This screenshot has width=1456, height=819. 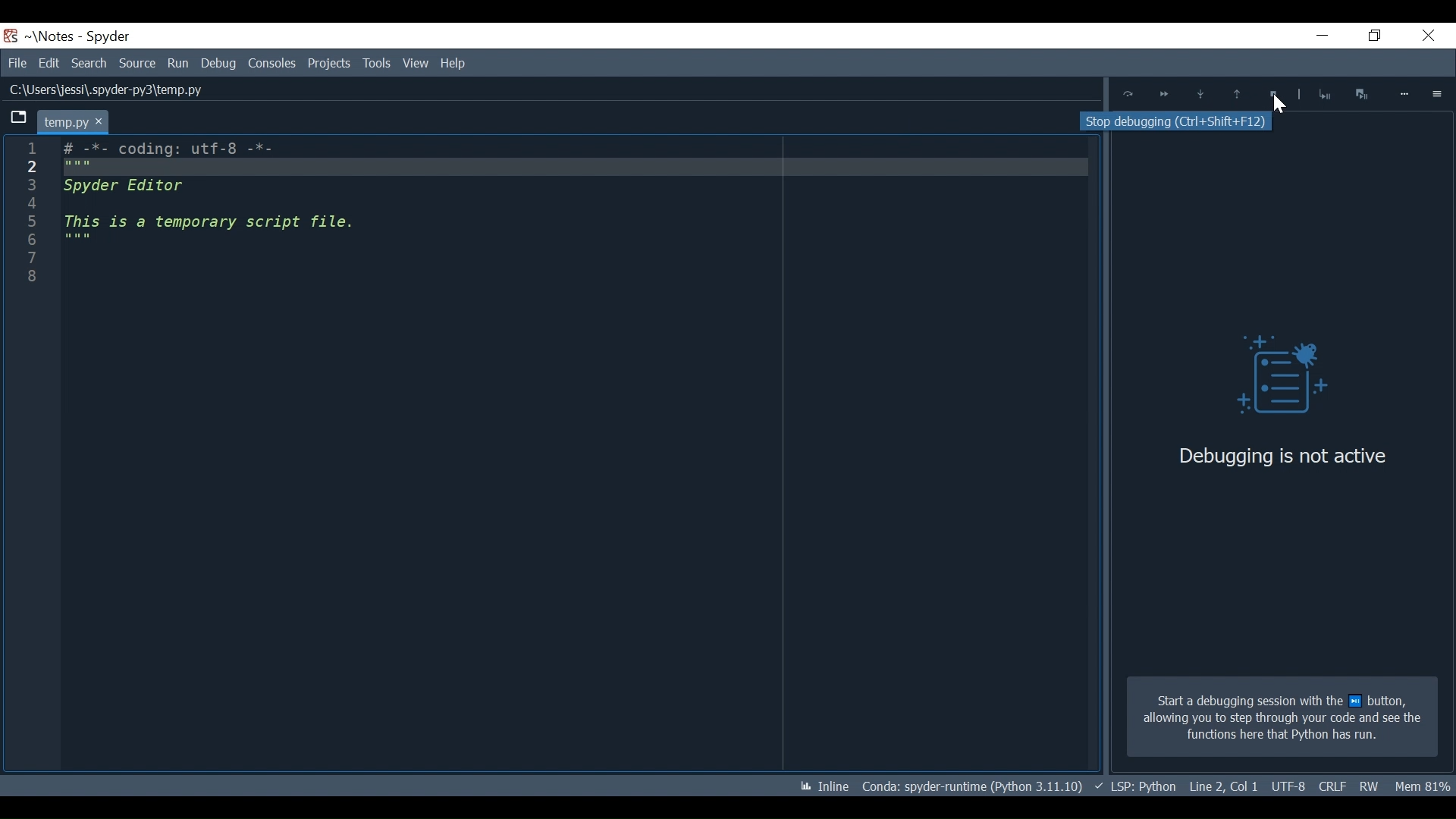 What do you see at coordinates (1288, 787) in the screenshot?
I see `Cursor Position` at bounding box center [1288, 787].